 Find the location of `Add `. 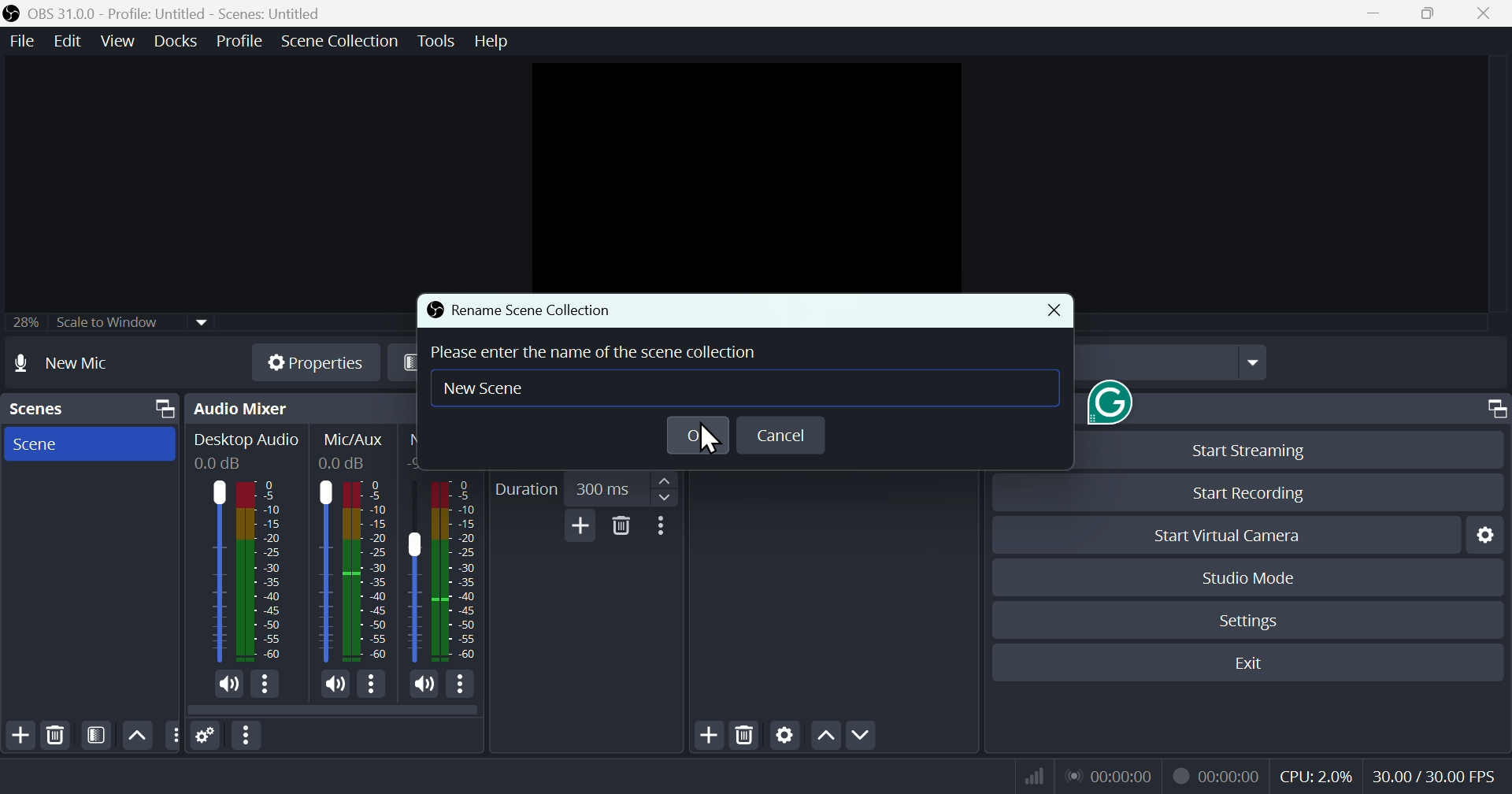

Add  is located at coordinates (576, 528).